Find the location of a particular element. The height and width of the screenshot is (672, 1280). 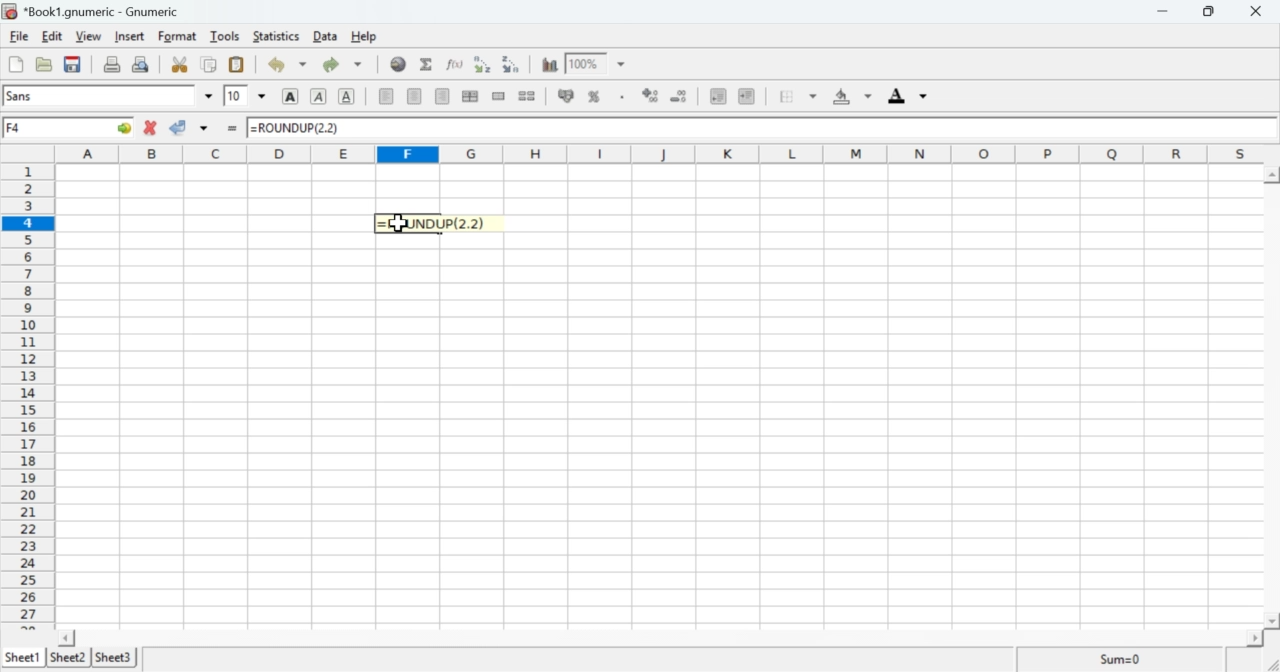

Help is located at coordinates (363, 36).